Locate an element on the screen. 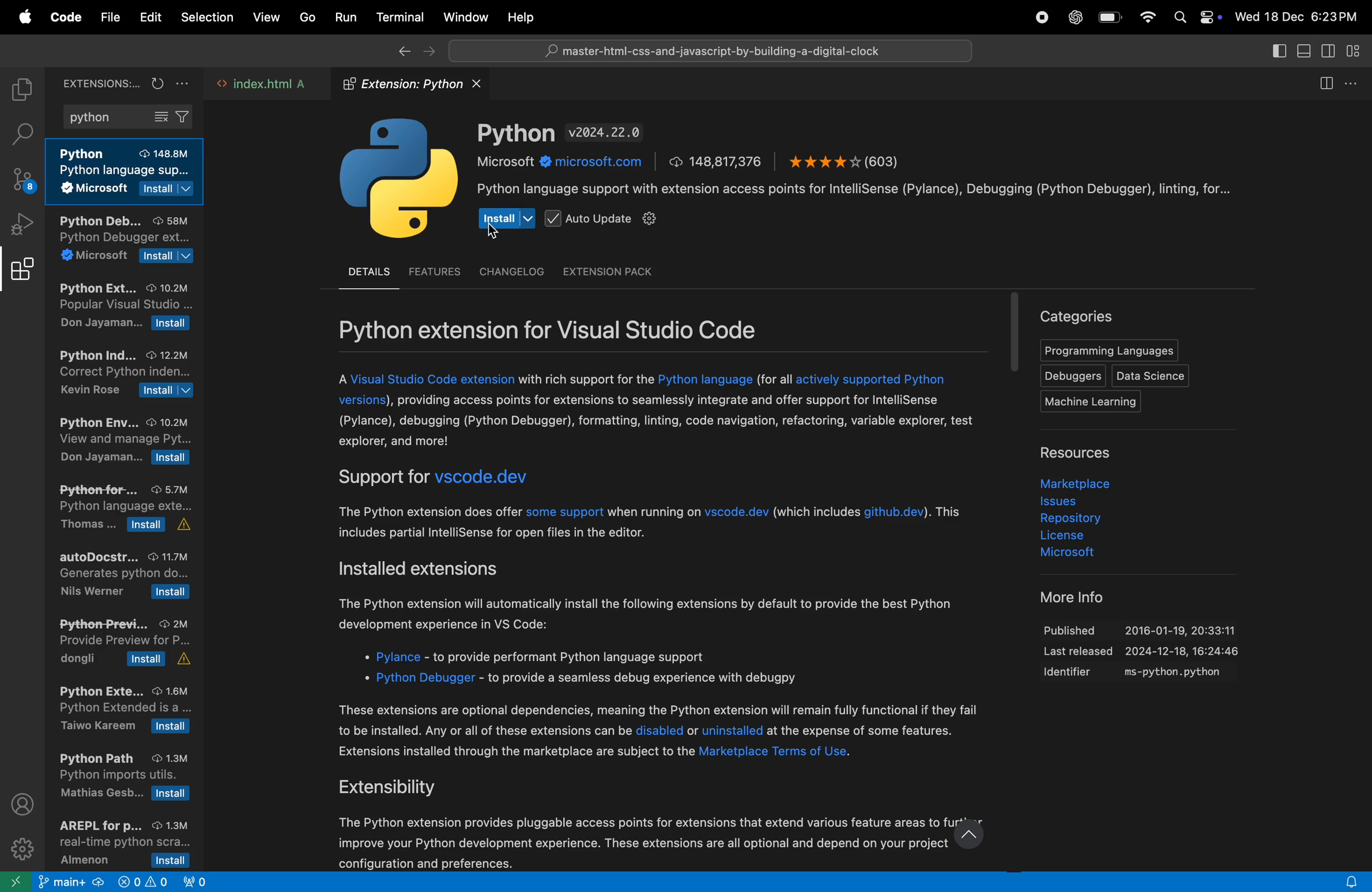  channel log is located at coordinates (511, 272).